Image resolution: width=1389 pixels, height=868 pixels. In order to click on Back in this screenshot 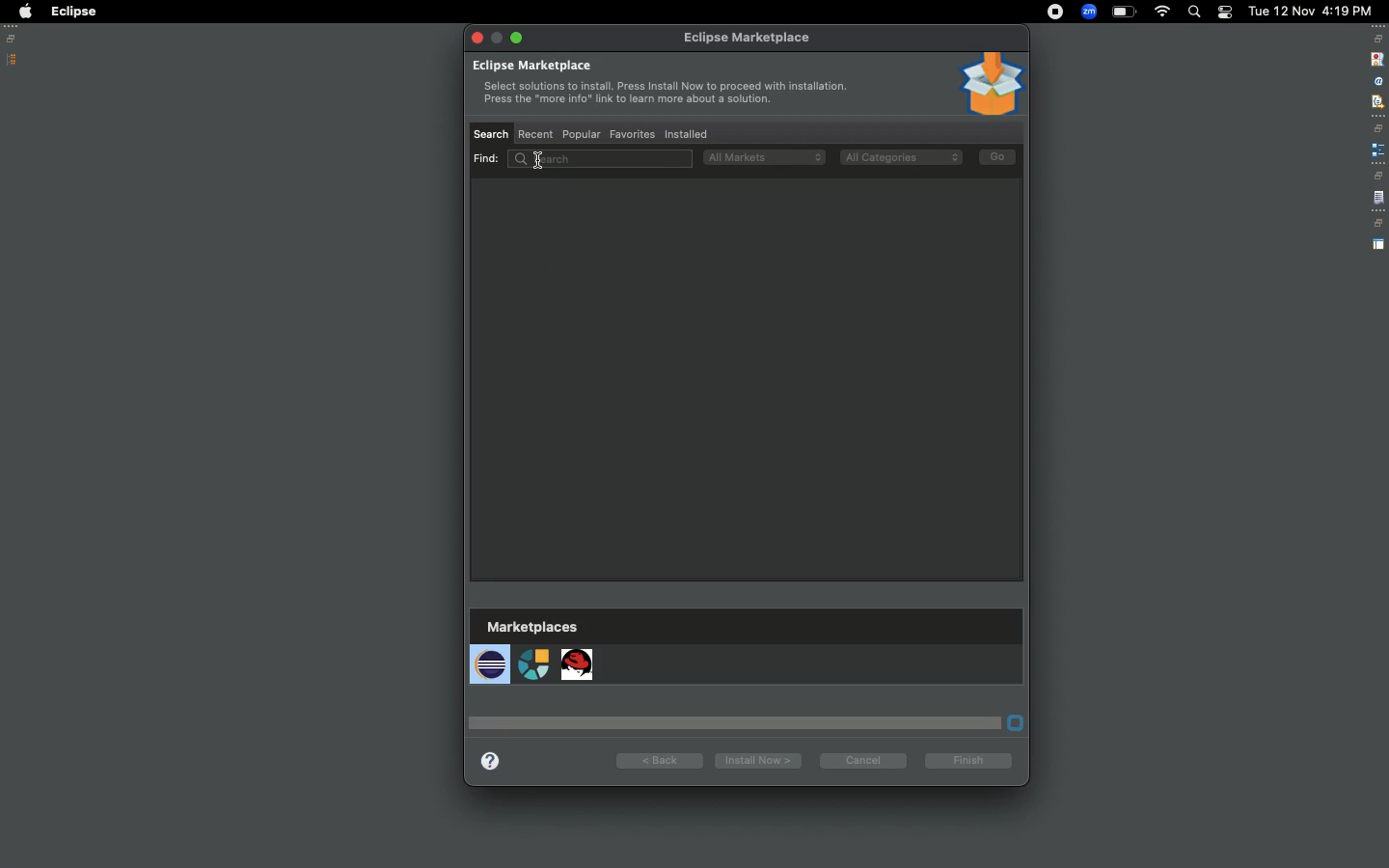, I will do `click(659, 759)`.